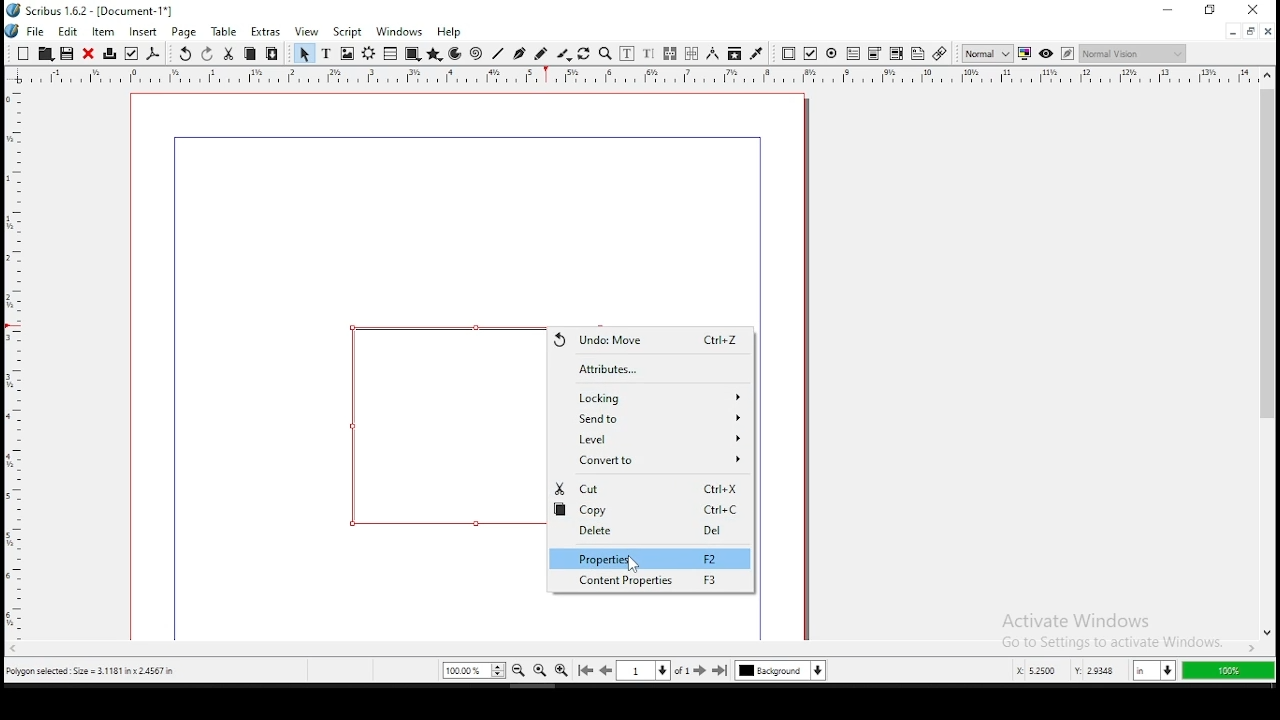  I want to click on scroll bar, so click(1266, 354).